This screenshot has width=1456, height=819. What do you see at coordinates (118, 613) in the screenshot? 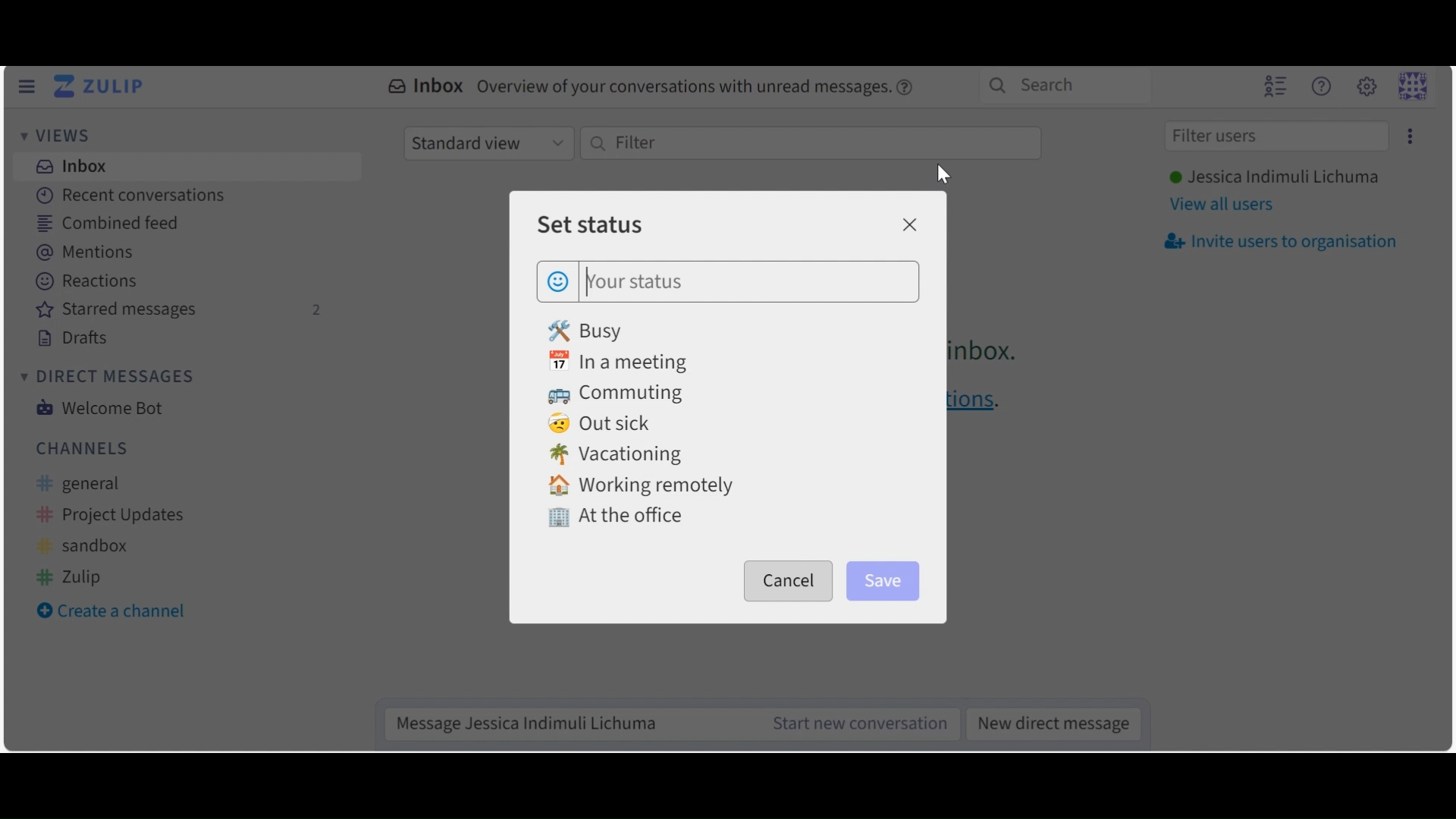
I see `Create a new Channel` at bounding box center [118, 613].